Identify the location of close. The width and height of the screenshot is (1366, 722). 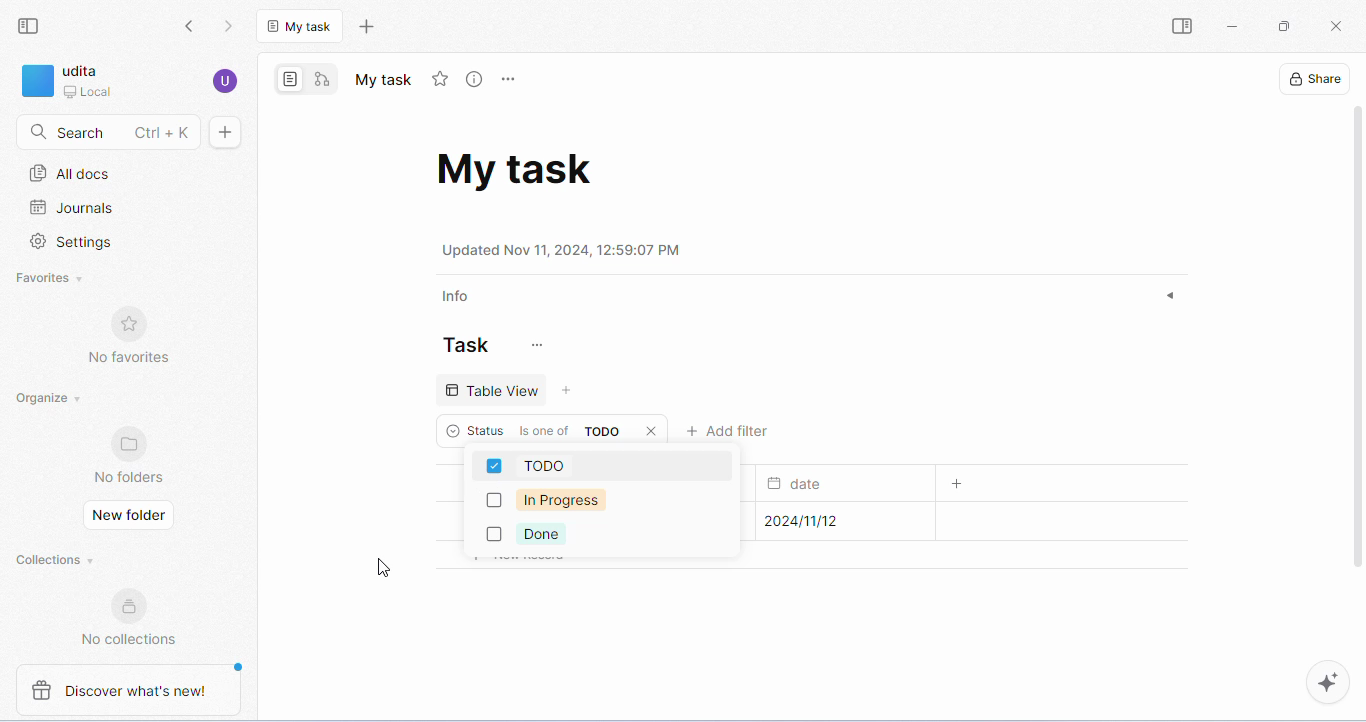
(1335, 27).